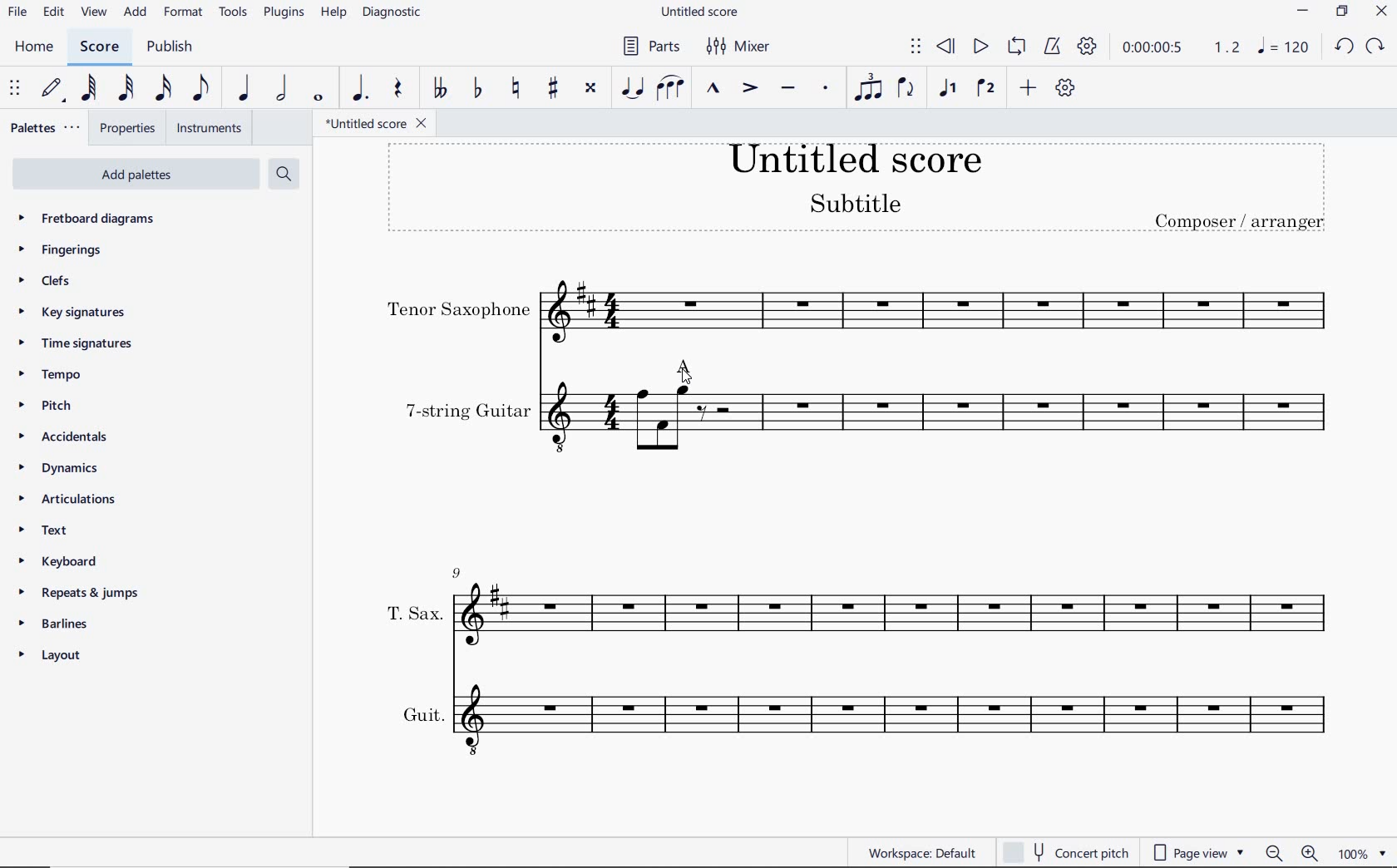 Image resolution: width=1397 pixels, height=868 pixels. What do you see at coordinates (91, 219) in the screenshot?
I see `FRETBOARD DIAGRAMS` at bounding box center [91, 219].